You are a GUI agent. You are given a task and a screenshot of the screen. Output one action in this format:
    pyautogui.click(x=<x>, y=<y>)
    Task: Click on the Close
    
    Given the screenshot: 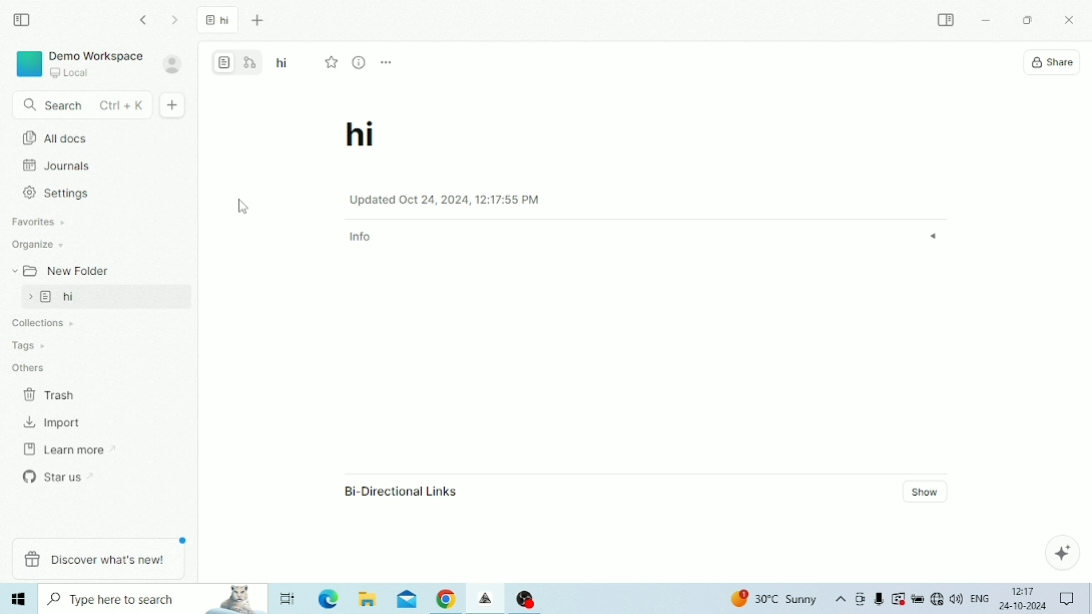 What is the action you would take?
    pyautogui.click(x=1072, y=21)
    